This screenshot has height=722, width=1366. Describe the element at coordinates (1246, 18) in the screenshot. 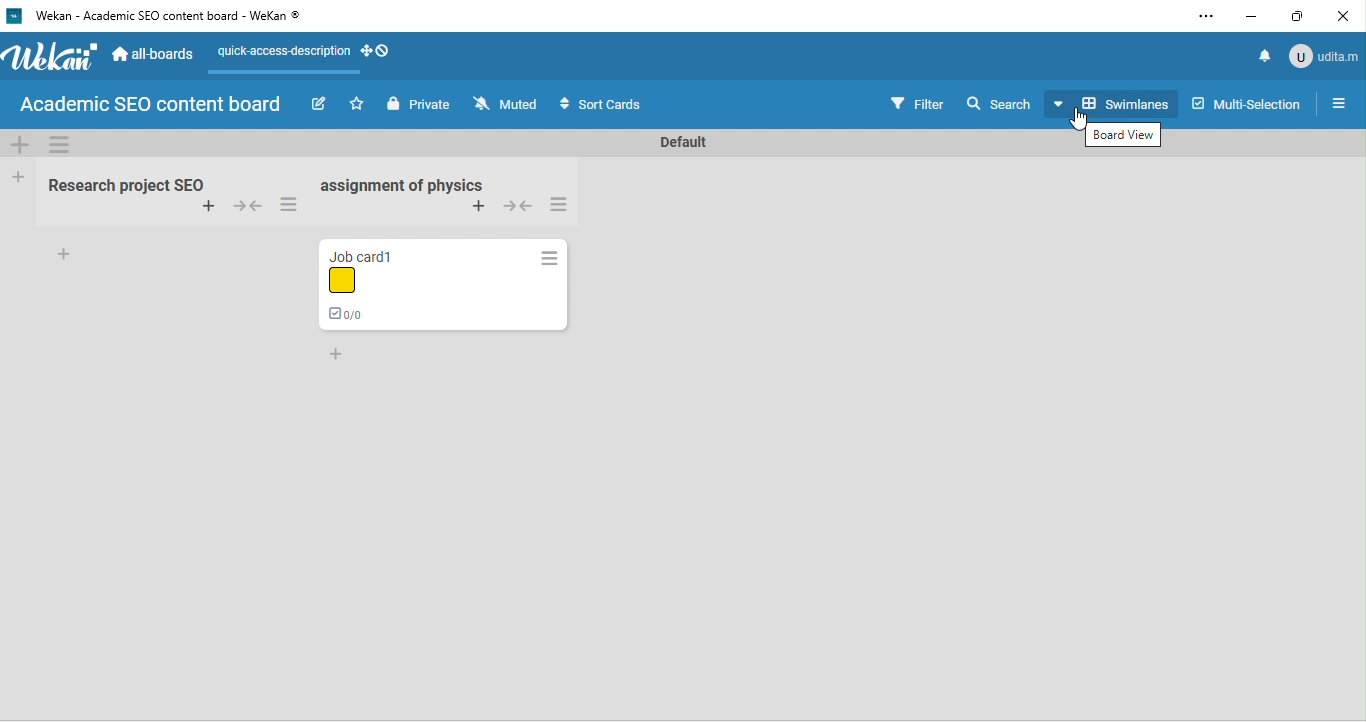

I see `minimize` at that location.